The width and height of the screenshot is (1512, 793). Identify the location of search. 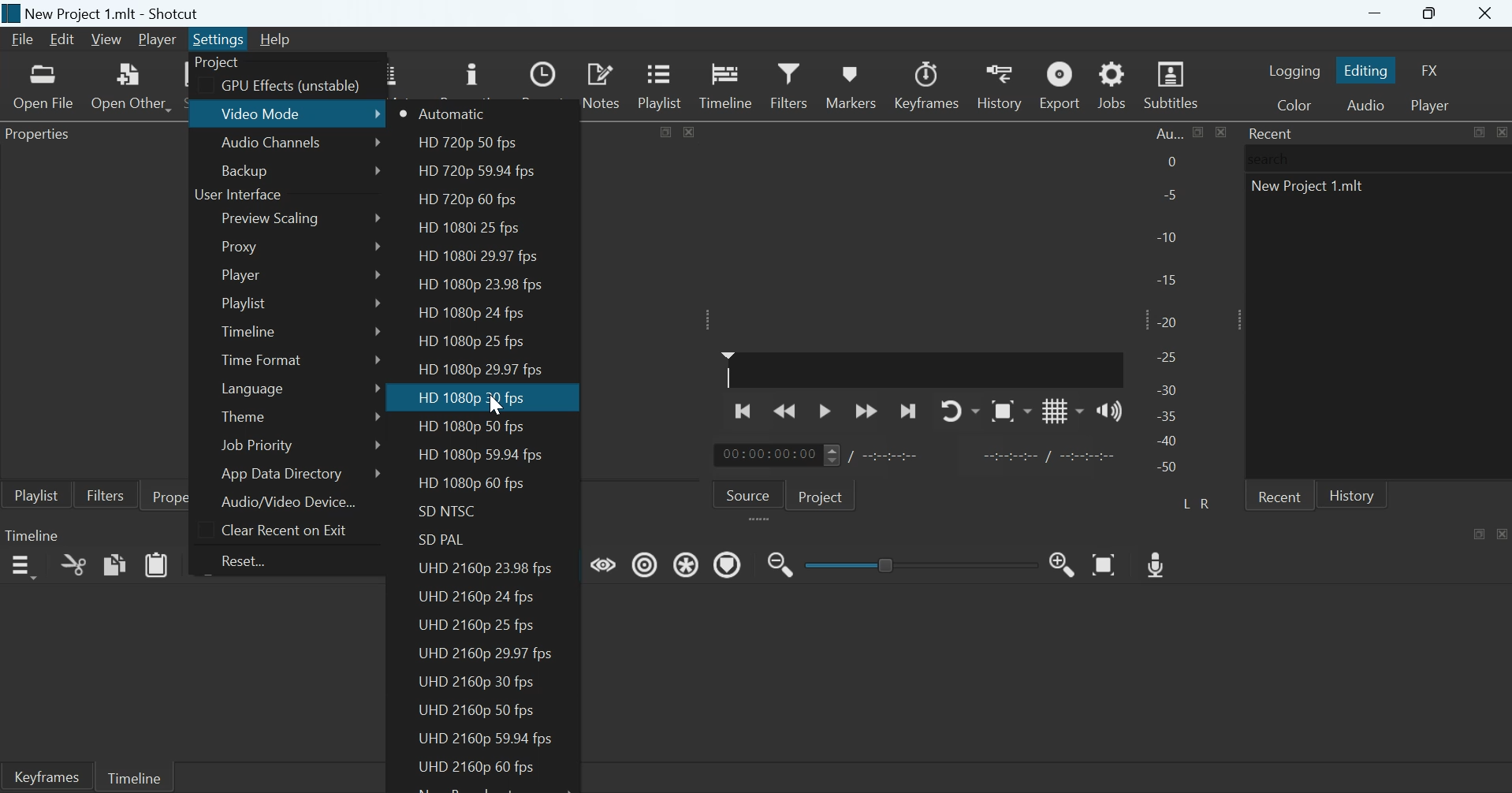
(1273, 158).